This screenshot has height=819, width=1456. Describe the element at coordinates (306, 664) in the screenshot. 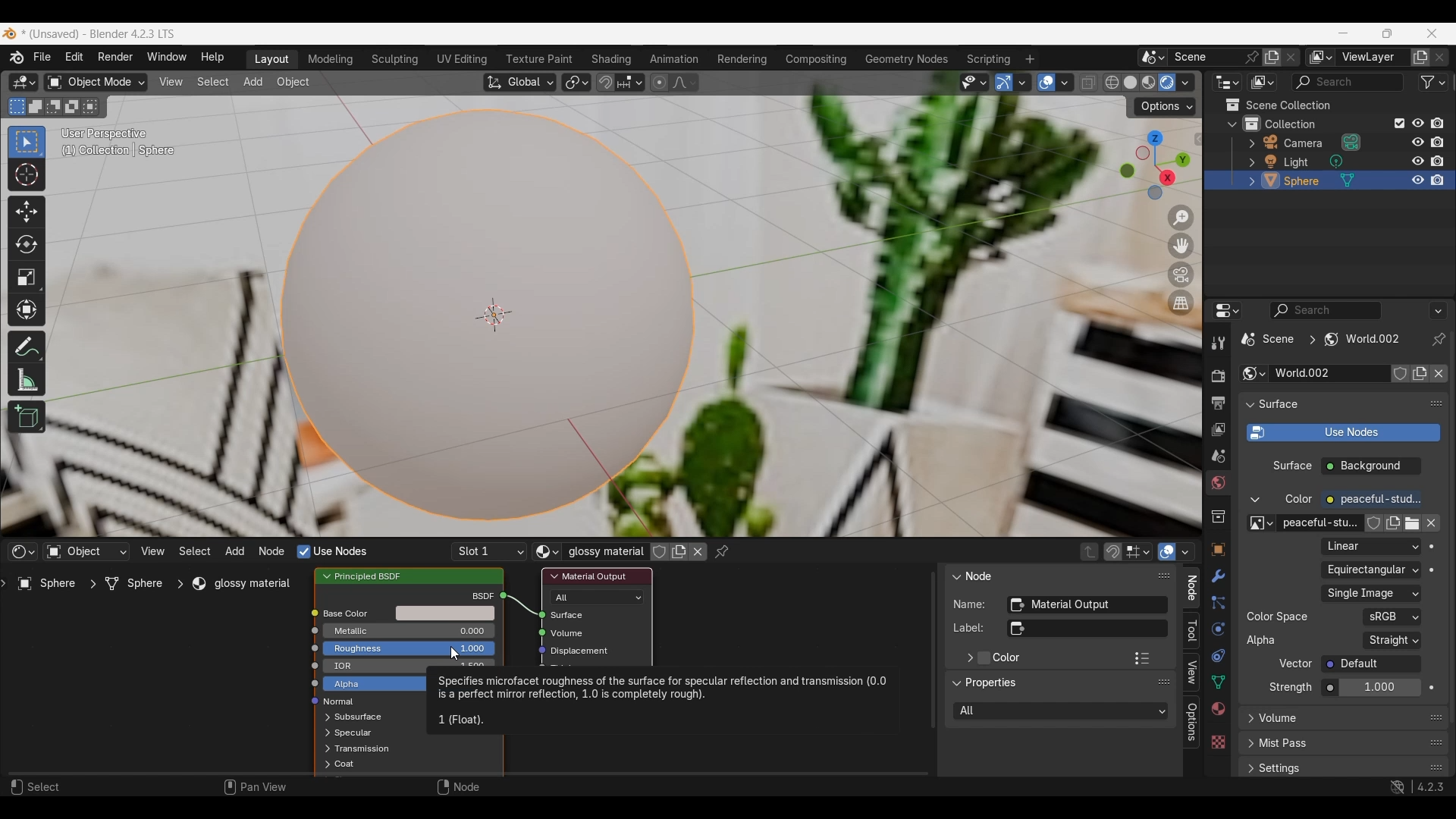

I see `icon` at that location.